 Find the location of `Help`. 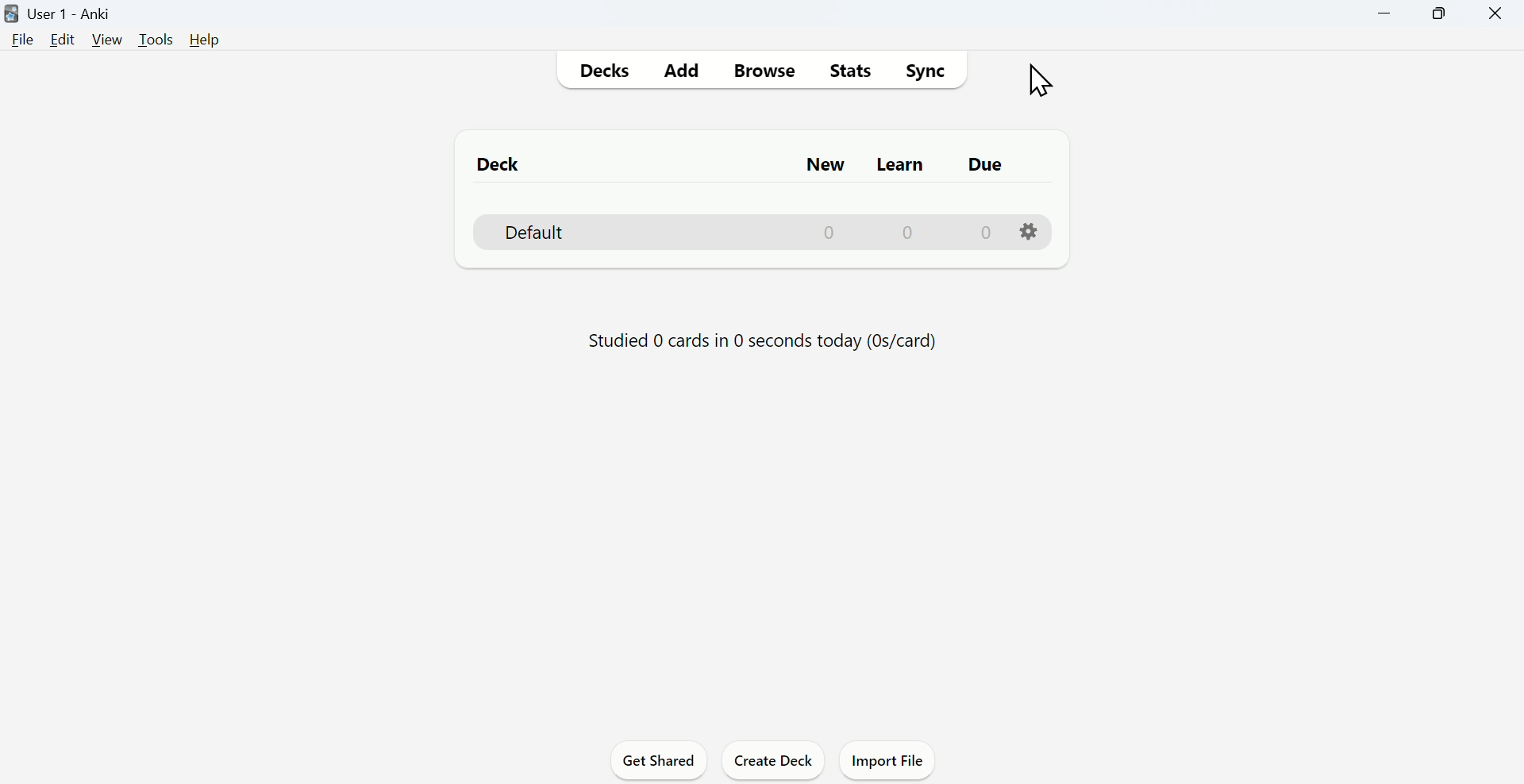

Help is located at coordinates (202, 40).